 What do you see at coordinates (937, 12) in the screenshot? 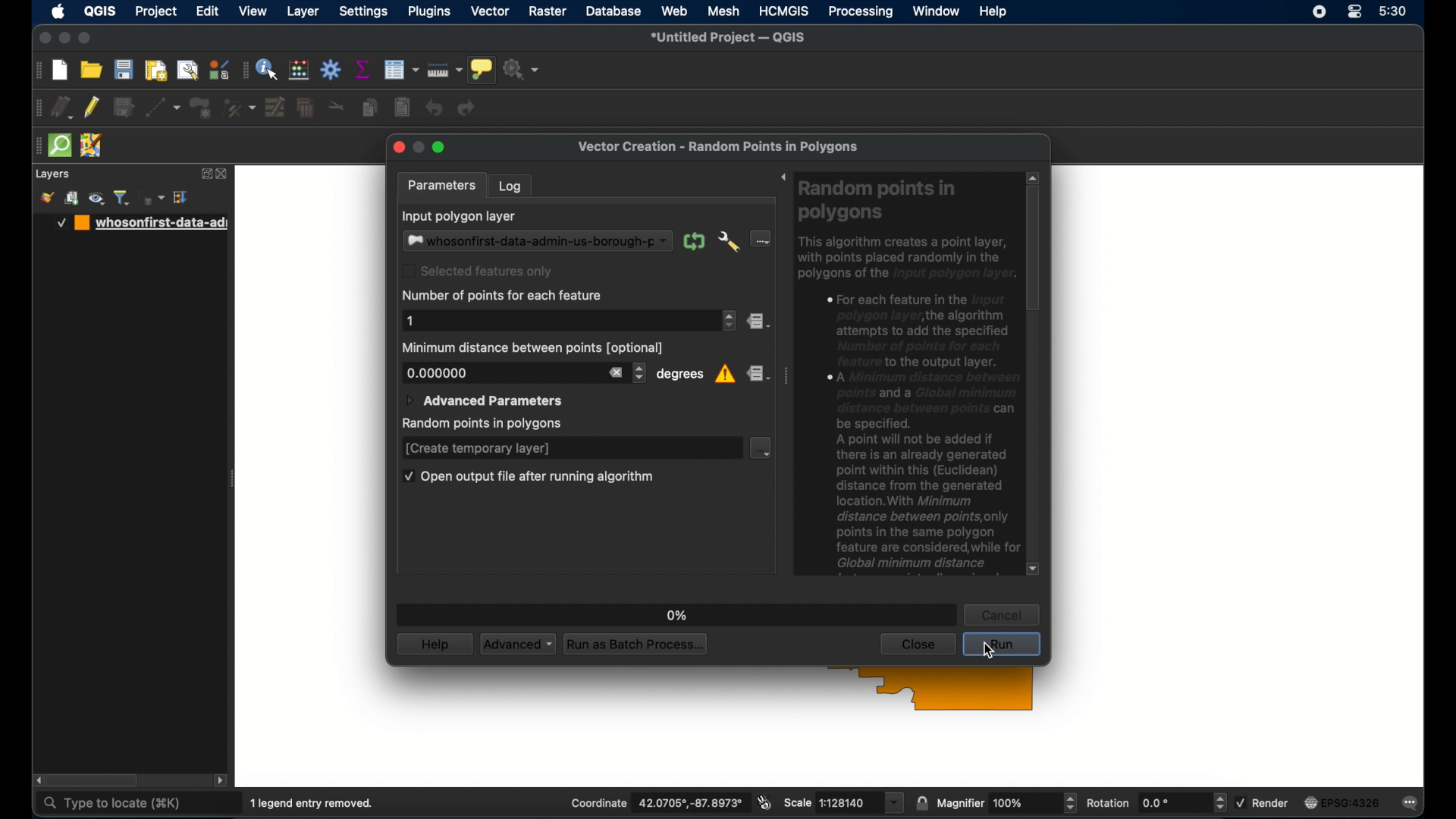
I see `window` at bounding box center [937, 12].